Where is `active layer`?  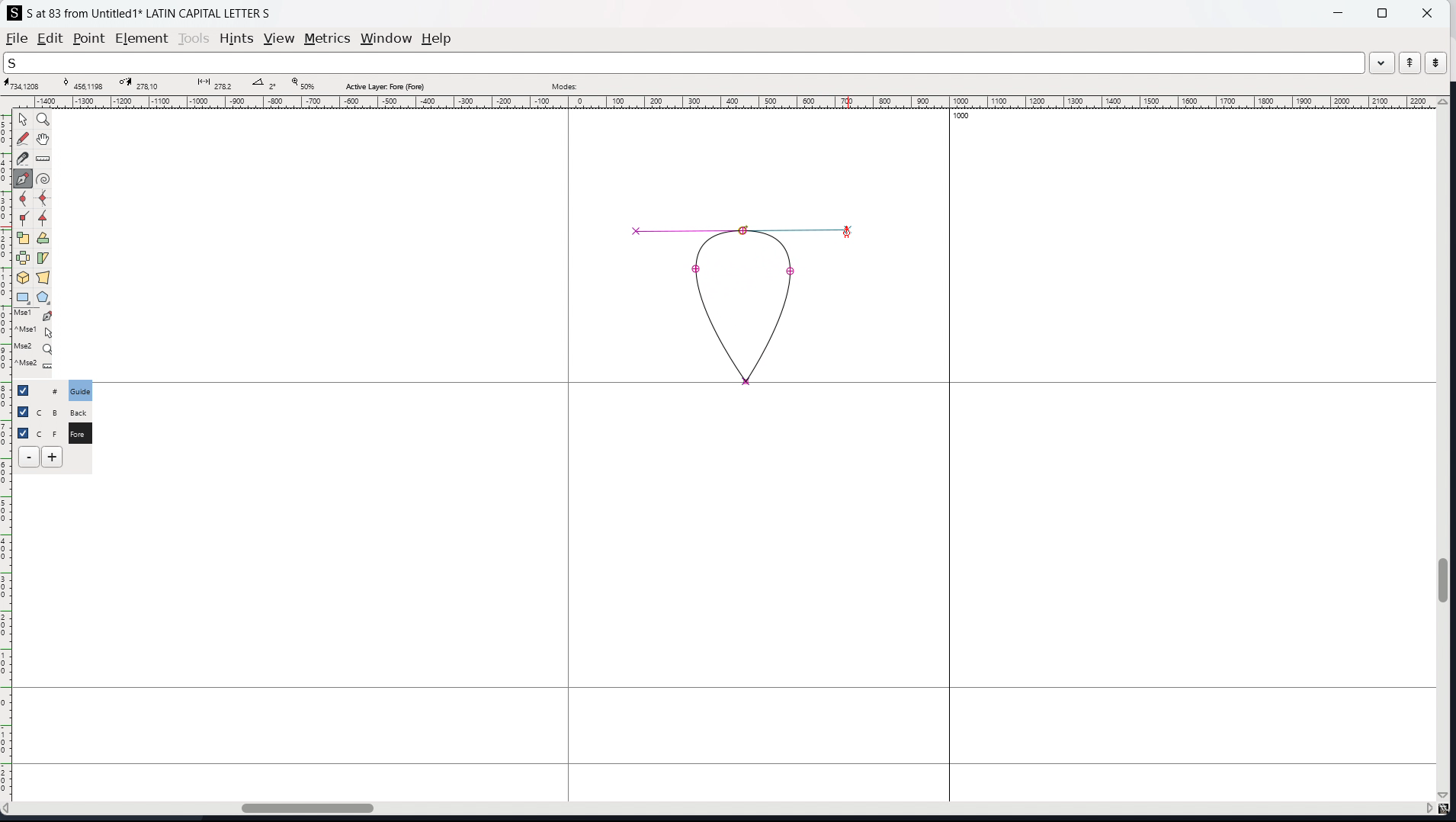
active layer is located at coordinates (384, 86).